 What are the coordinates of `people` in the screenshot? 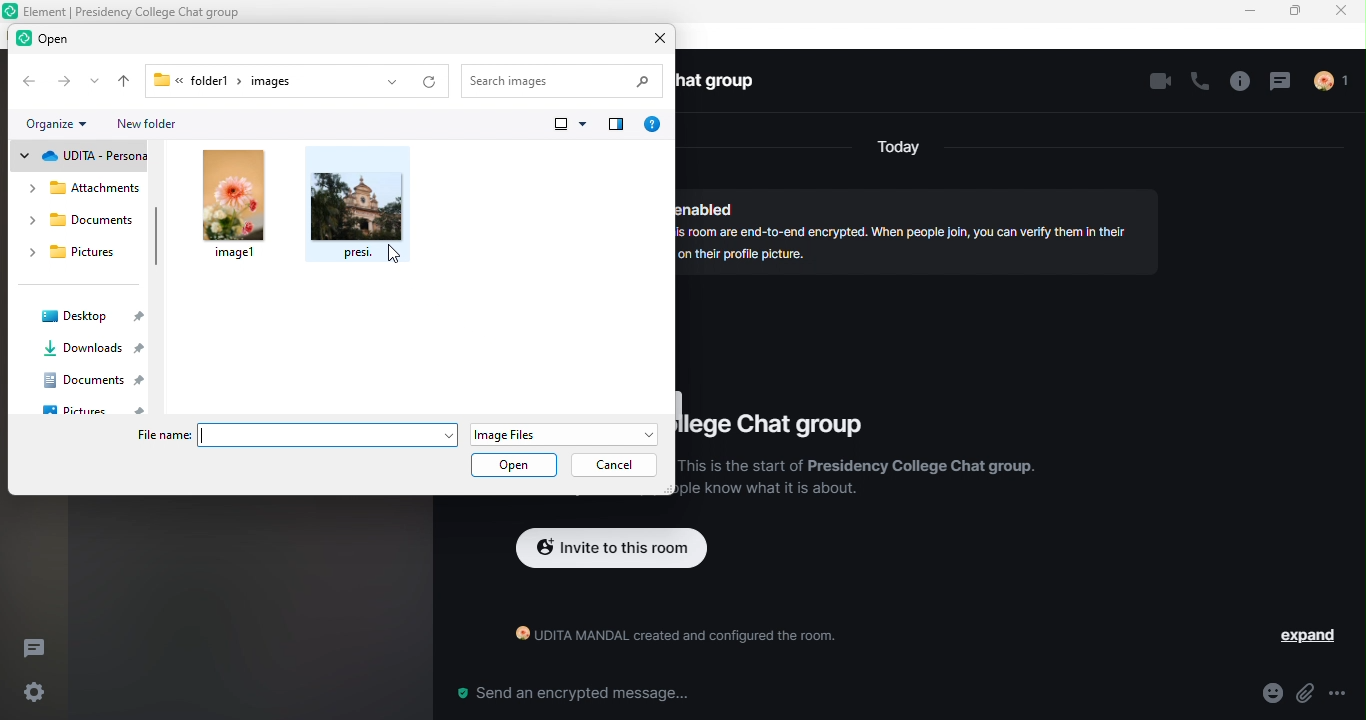 It's located at (1340, 83).